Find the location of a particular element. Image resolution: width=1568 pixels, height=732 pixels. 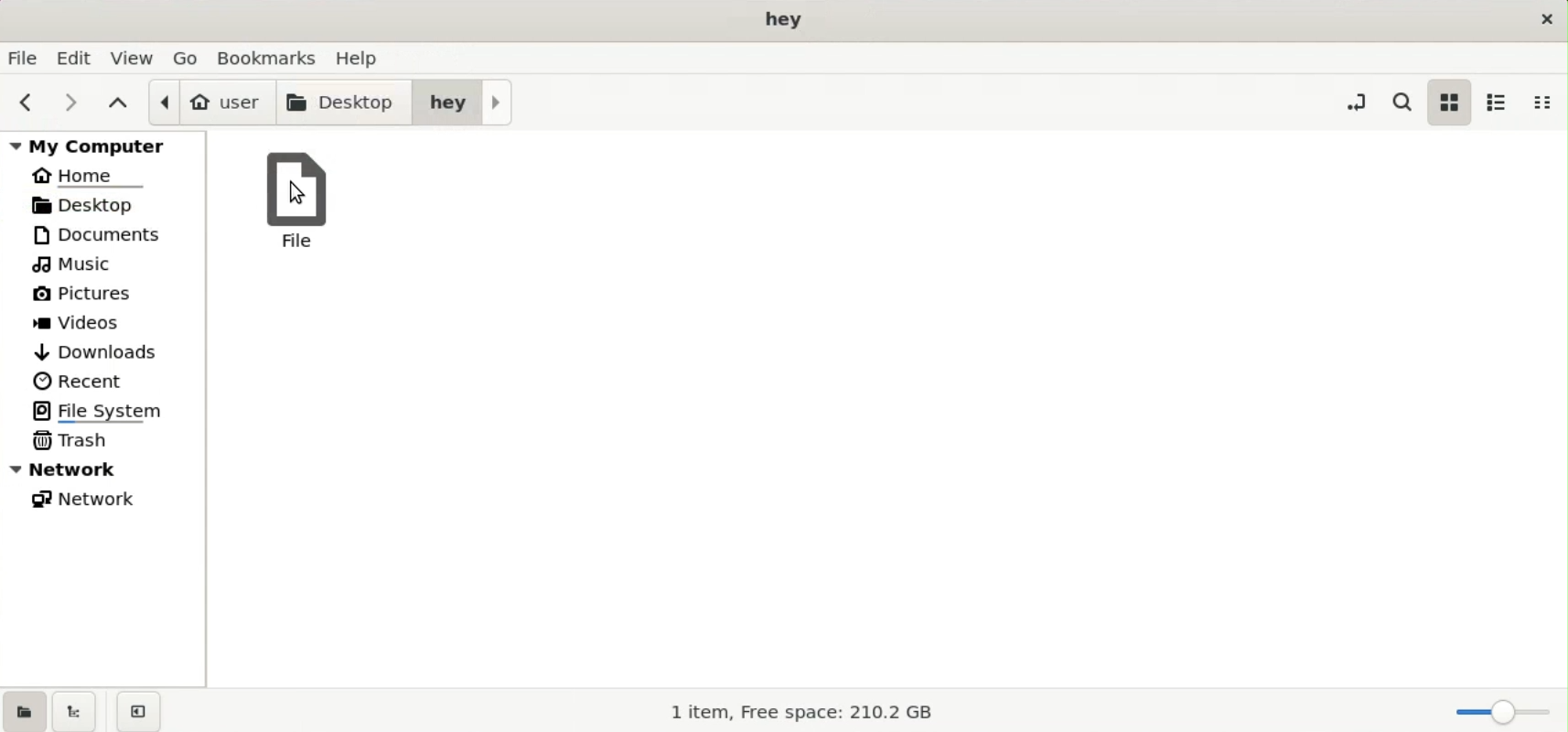

storage is located at coordinates (808, 712).